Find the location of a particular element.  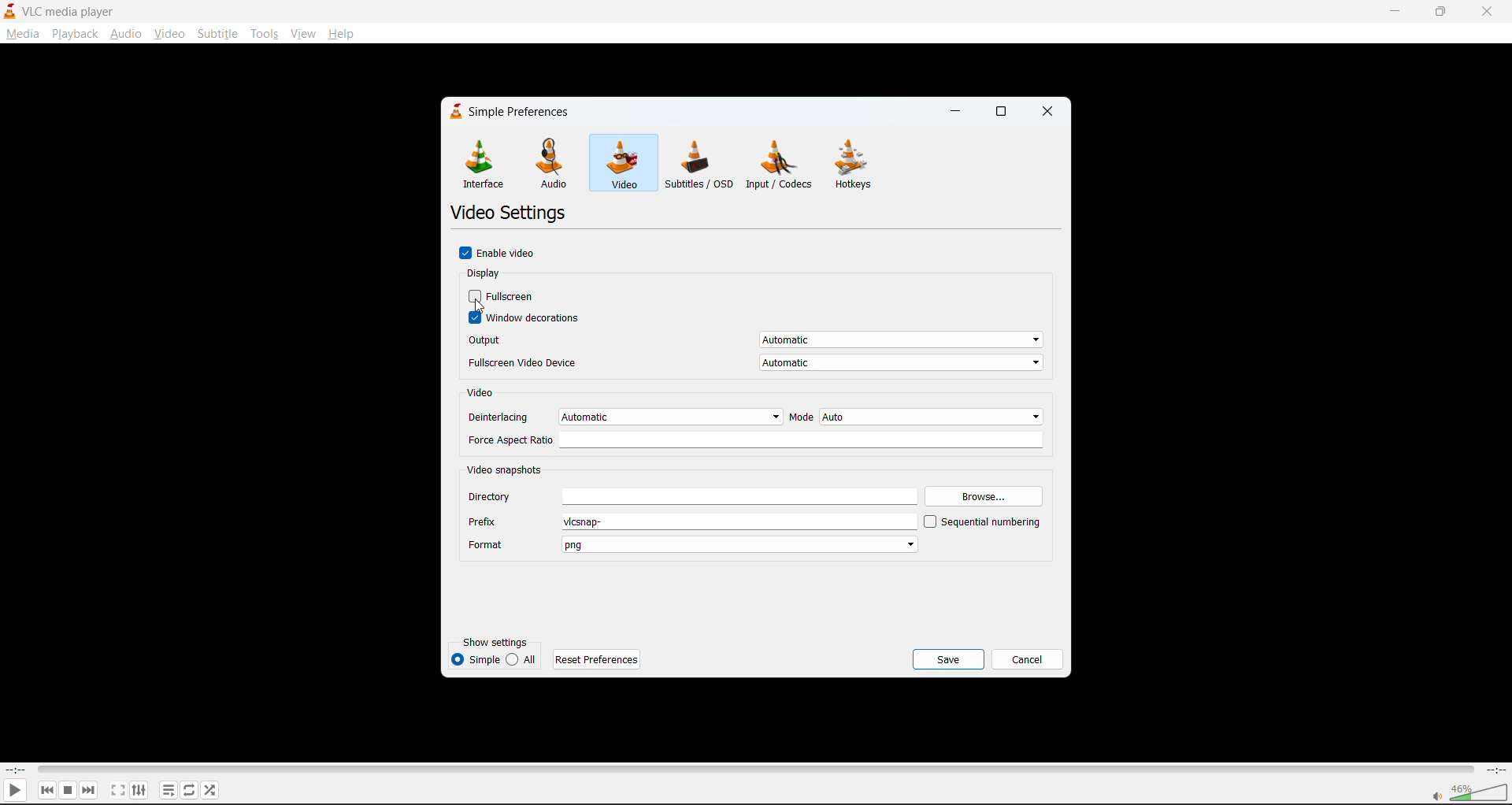

previous is located at coordinates (46, 791).